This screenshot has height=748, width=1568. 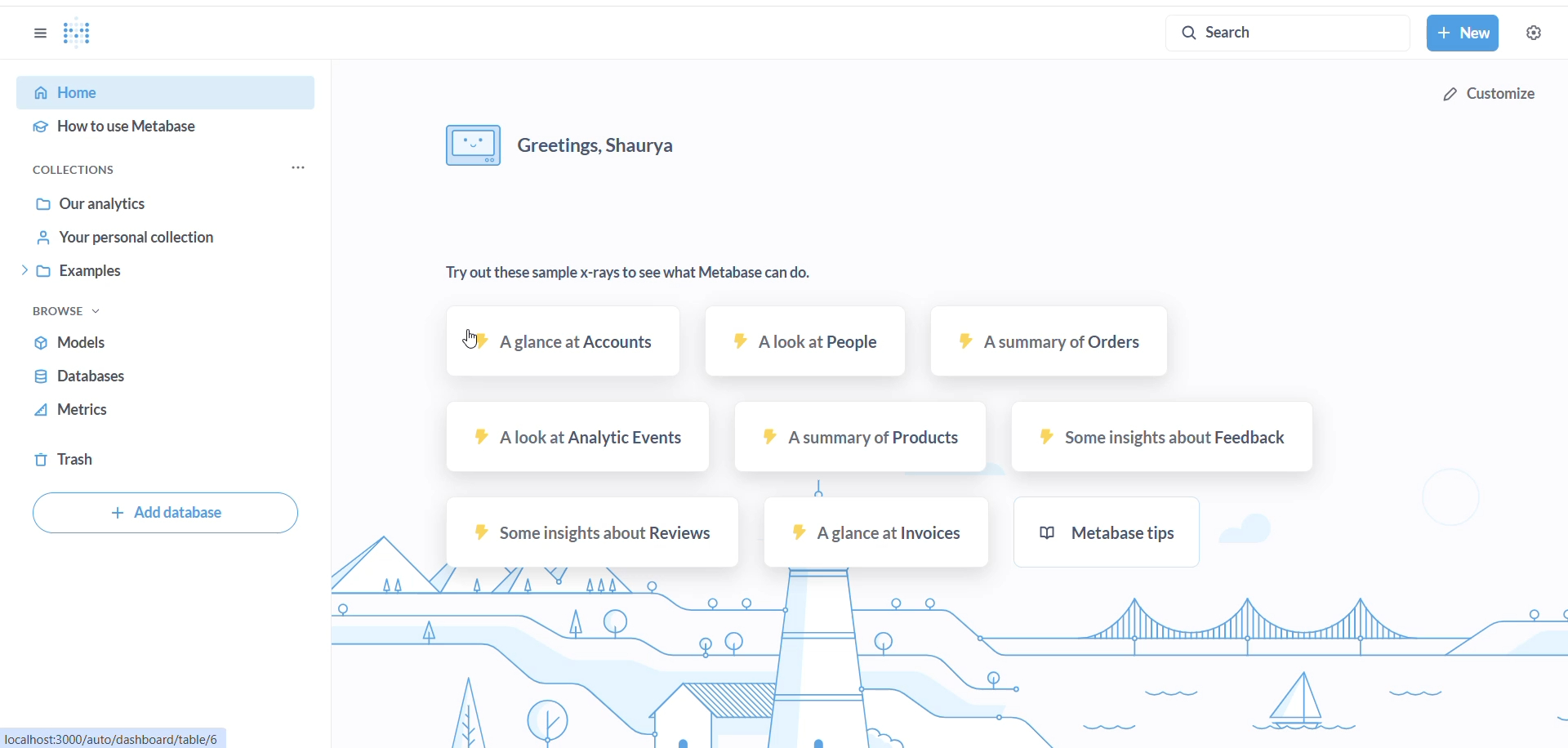 What do you see at coordinates (173, 205) in the screenshot?
I see `our analytics` at bounding box center [173, 205].